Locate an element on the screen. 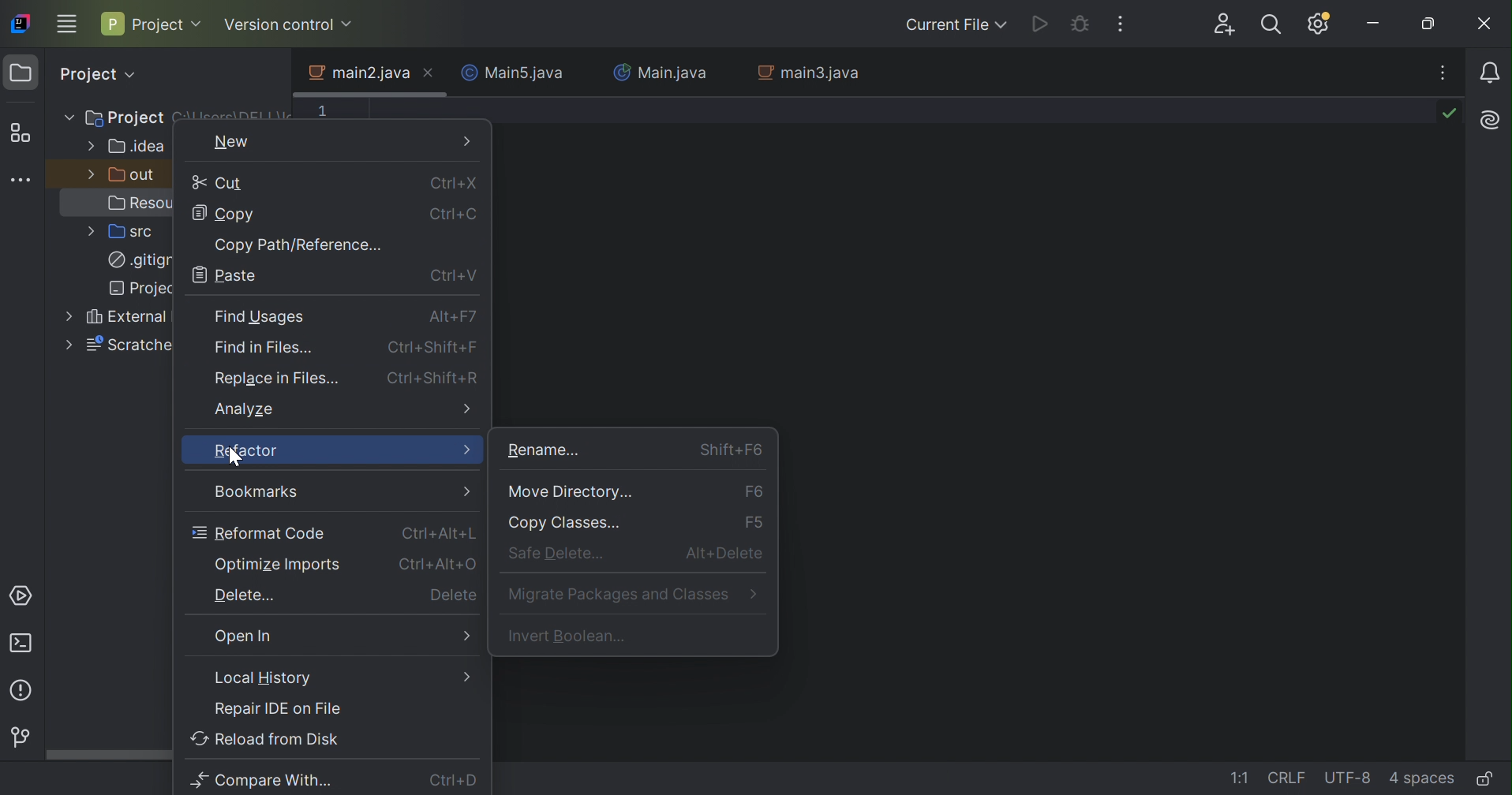 Image resolution: width=1512 pixels, height=795 pixels. Ctrl+C is located at coordinates (458, 217).